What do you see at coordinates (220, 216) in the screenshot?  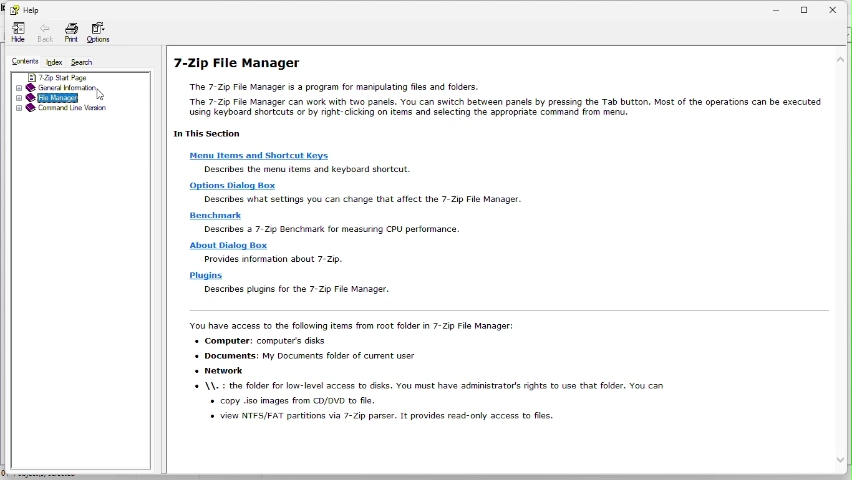 I see `Benchmark` at bounding box center [220, 216].